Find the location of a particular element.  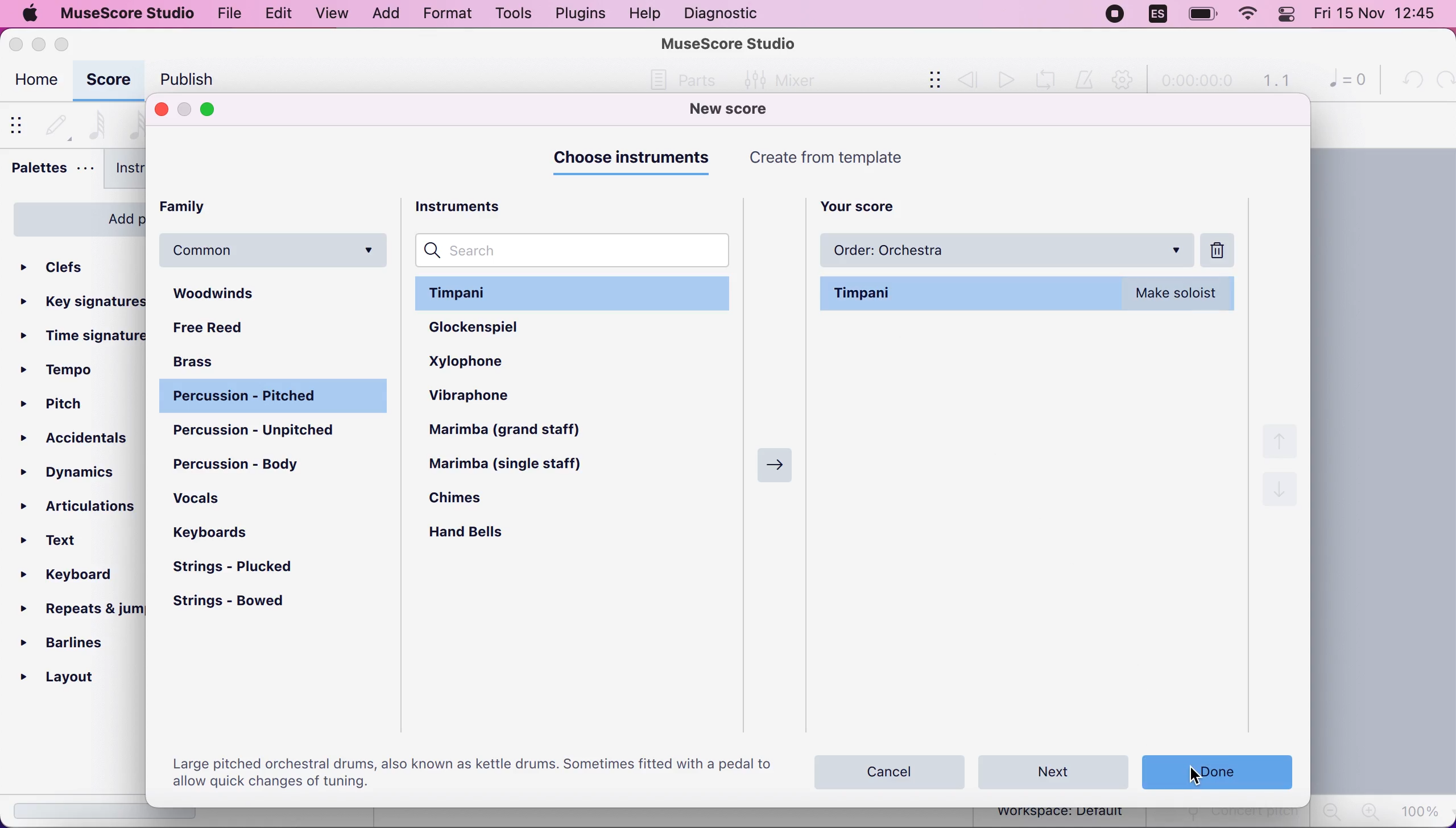

xylophone is located at coordinates (490, 360).